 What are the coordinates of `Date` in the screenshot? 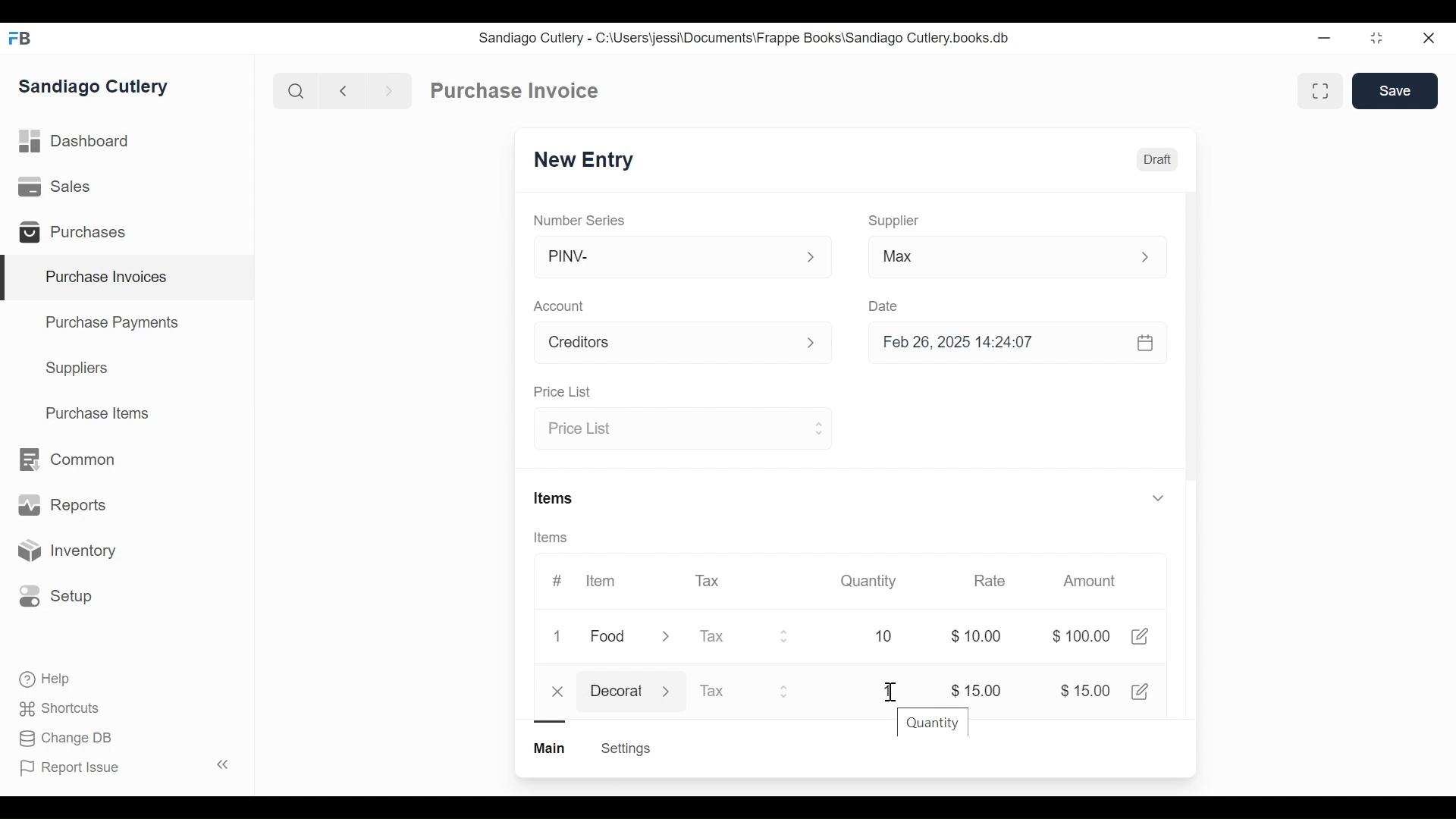 It's located at (884, 306).